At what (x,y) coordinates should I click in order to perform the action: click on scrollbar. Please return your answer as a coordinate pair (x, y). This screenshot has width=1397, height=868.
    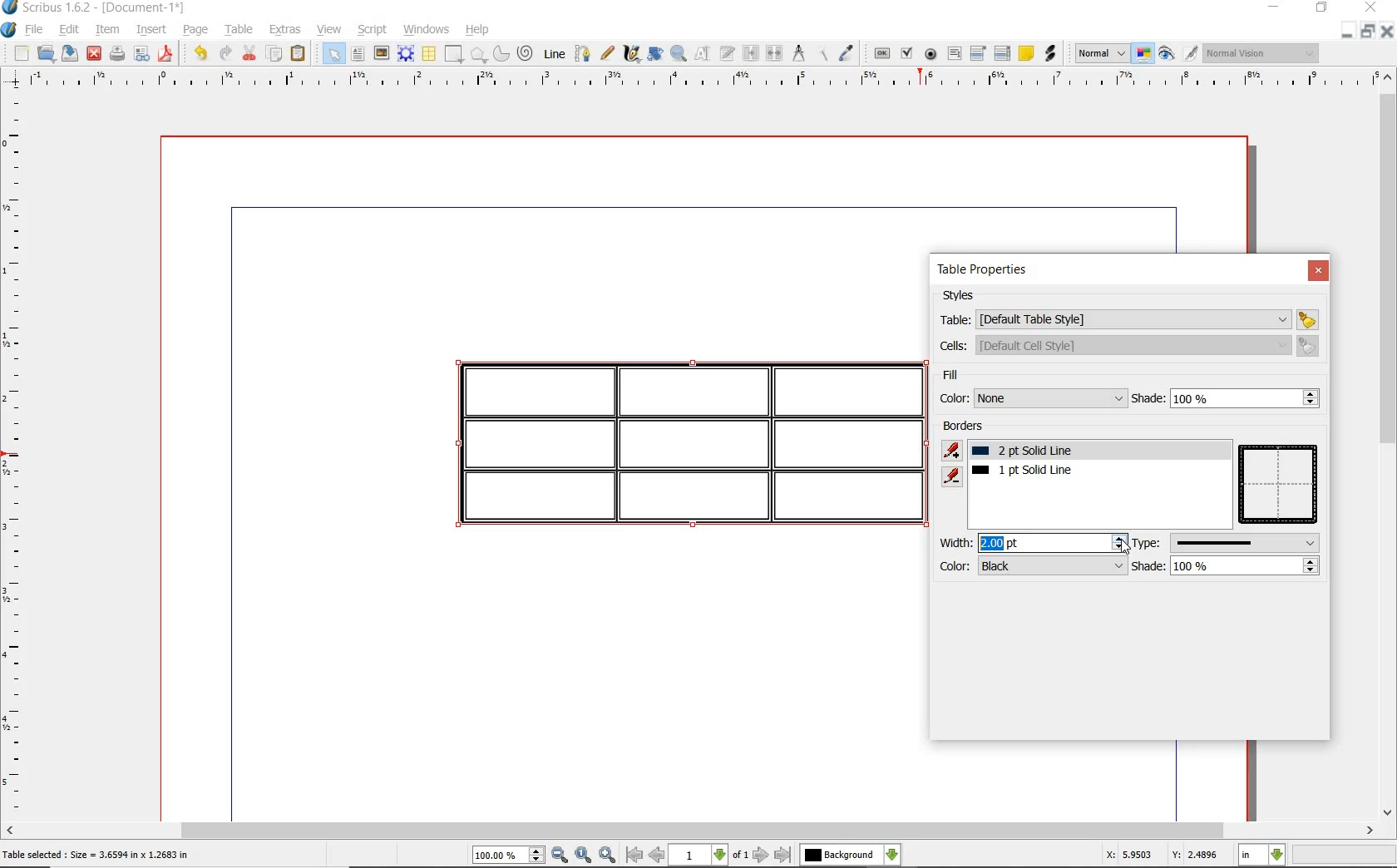
    Looking at the image, I should click on (698, 831).